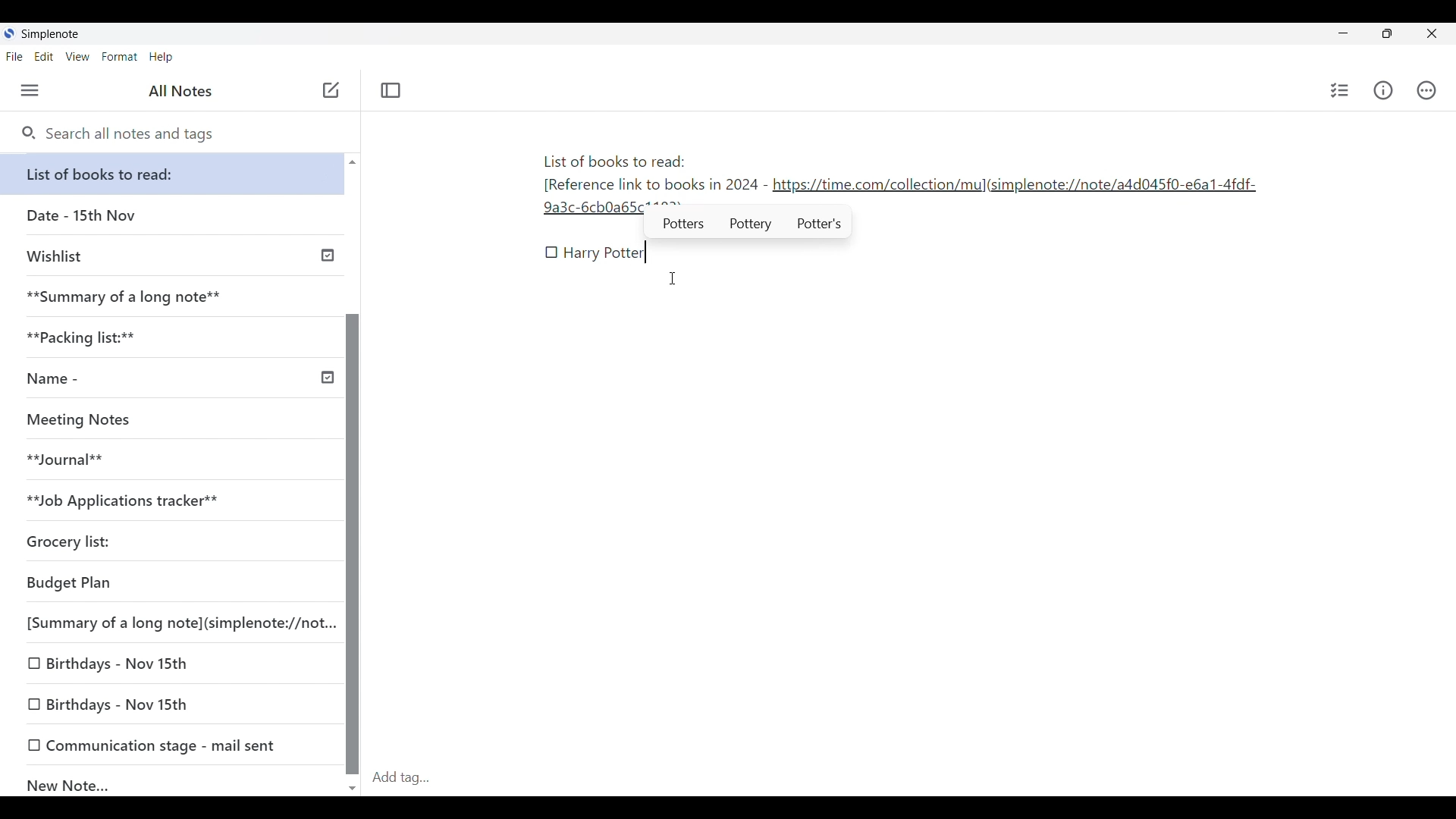 Image resolution: width=1456 pixels, height=819 pixels. What do you see at coordinates (176, 254) in the screenshot?
I see `Wishlist` at bounding box center [176, 254].